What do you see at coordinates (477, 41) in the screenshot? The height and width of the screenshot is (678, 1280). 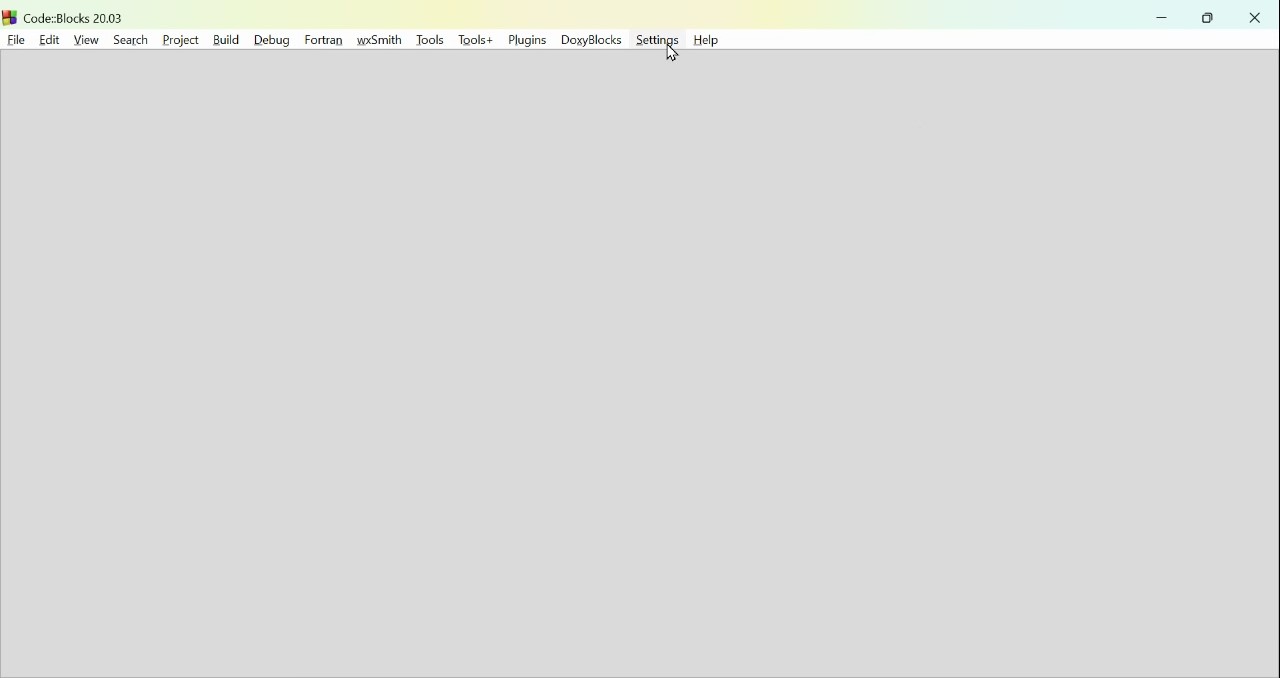 I see `Tools+` at bounding box center [477, 41].